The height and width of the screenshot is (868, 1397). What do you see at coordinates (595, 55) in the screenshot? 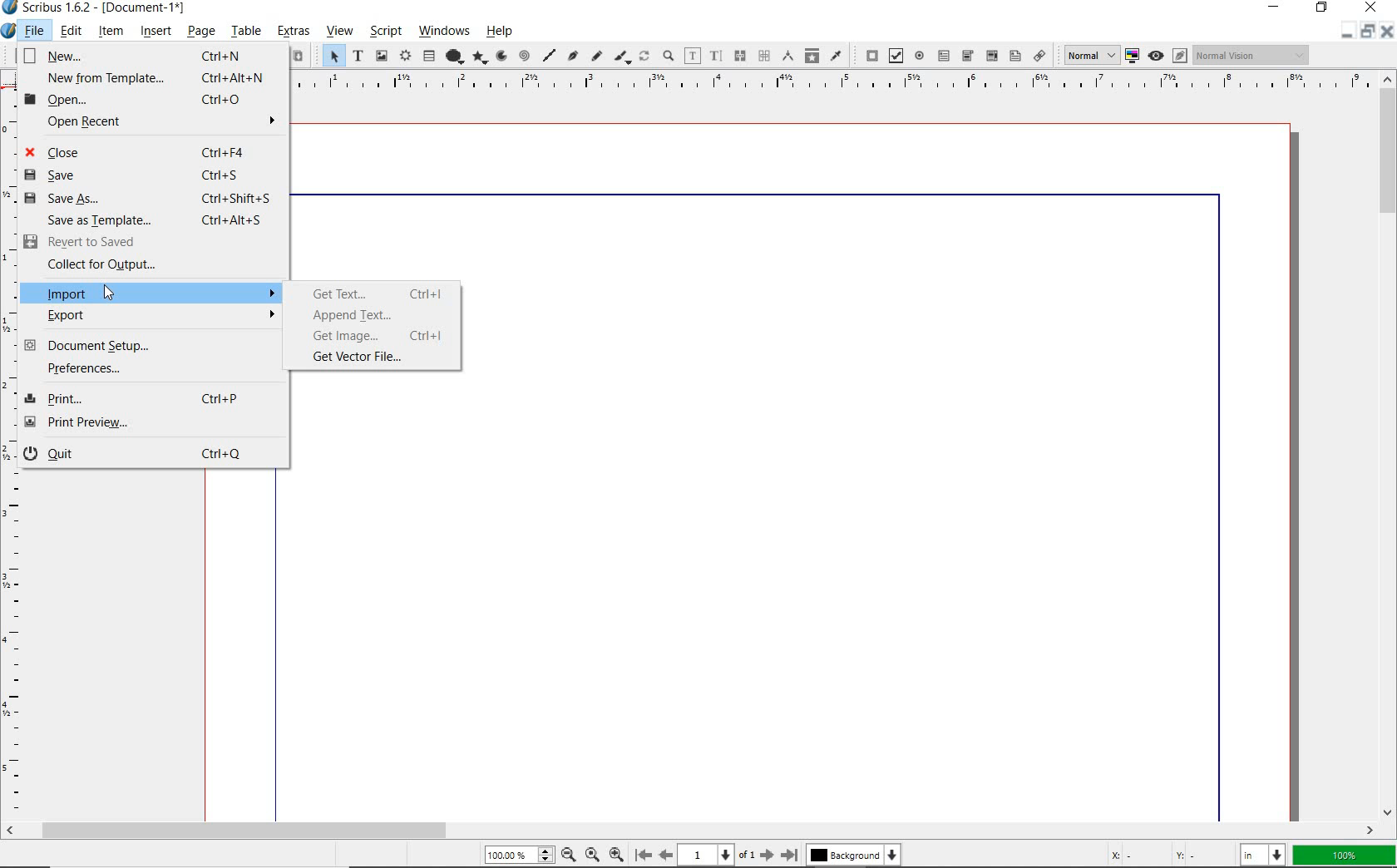
I see `freehand line` at bounding box center [595, 55].